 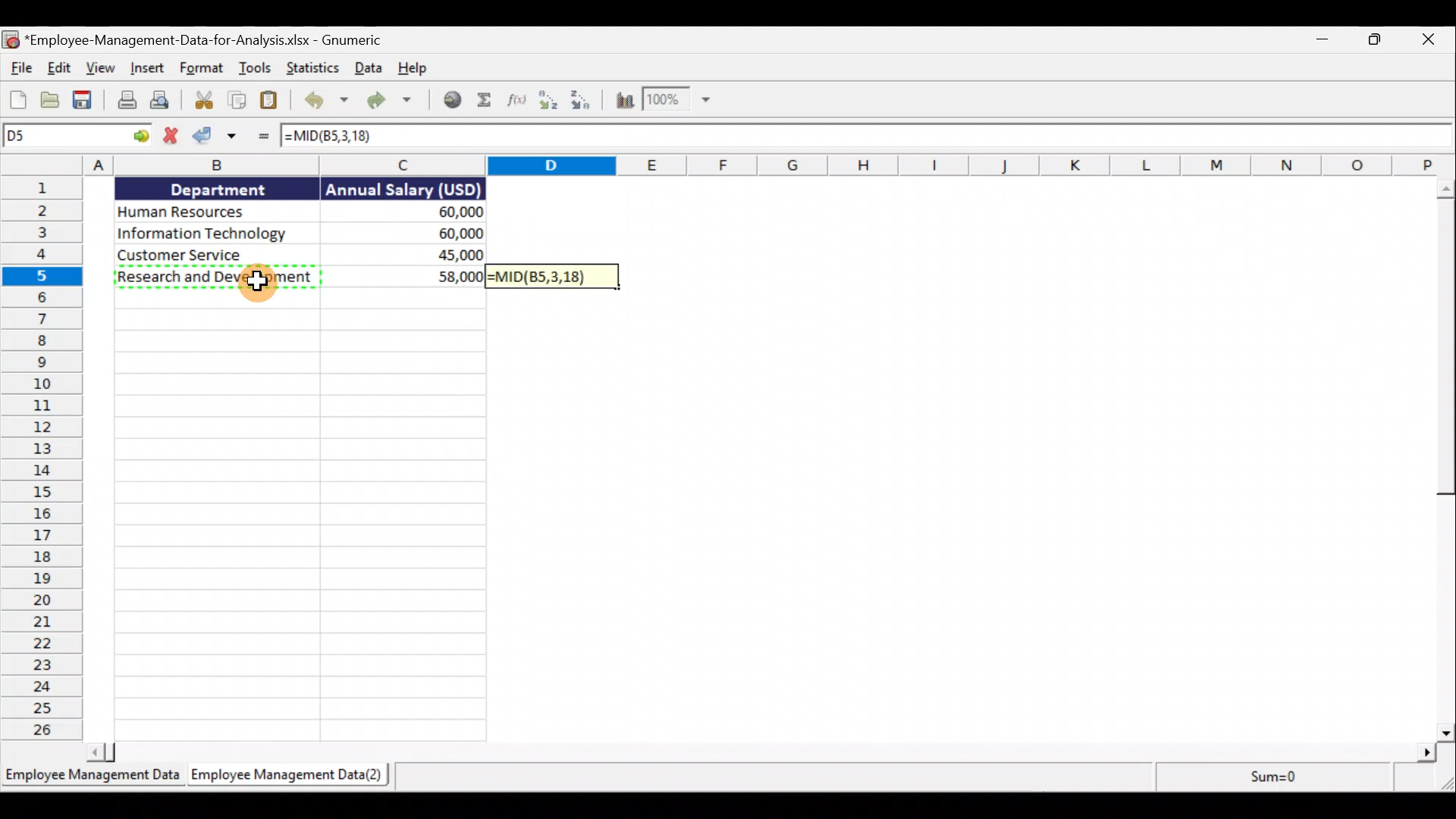 What do you see at coordinates (1381, 42) in the screenshot?
I see `Maximise` at bounding box center [1381, 42].